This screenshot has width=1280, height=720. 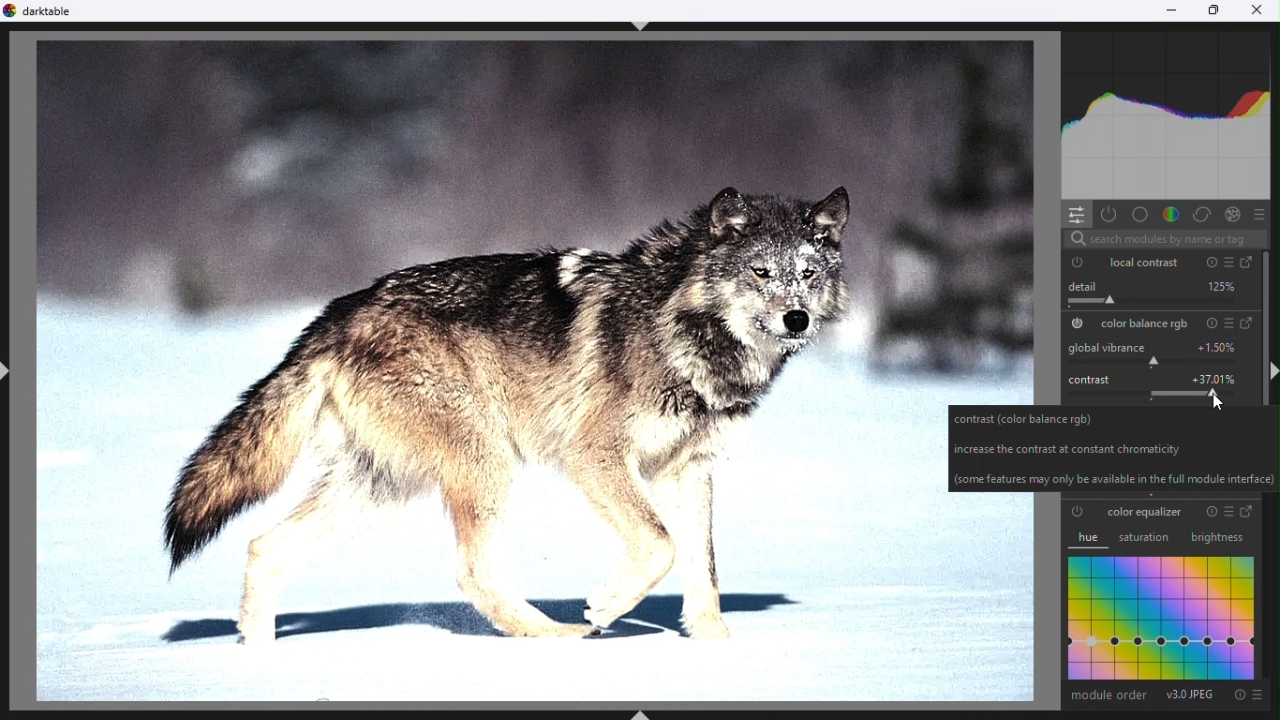 What do you see at coordinates (1272, 370) in the screenshot?
I see `shift+ctlr+r` at bounding box center [1272, 370].